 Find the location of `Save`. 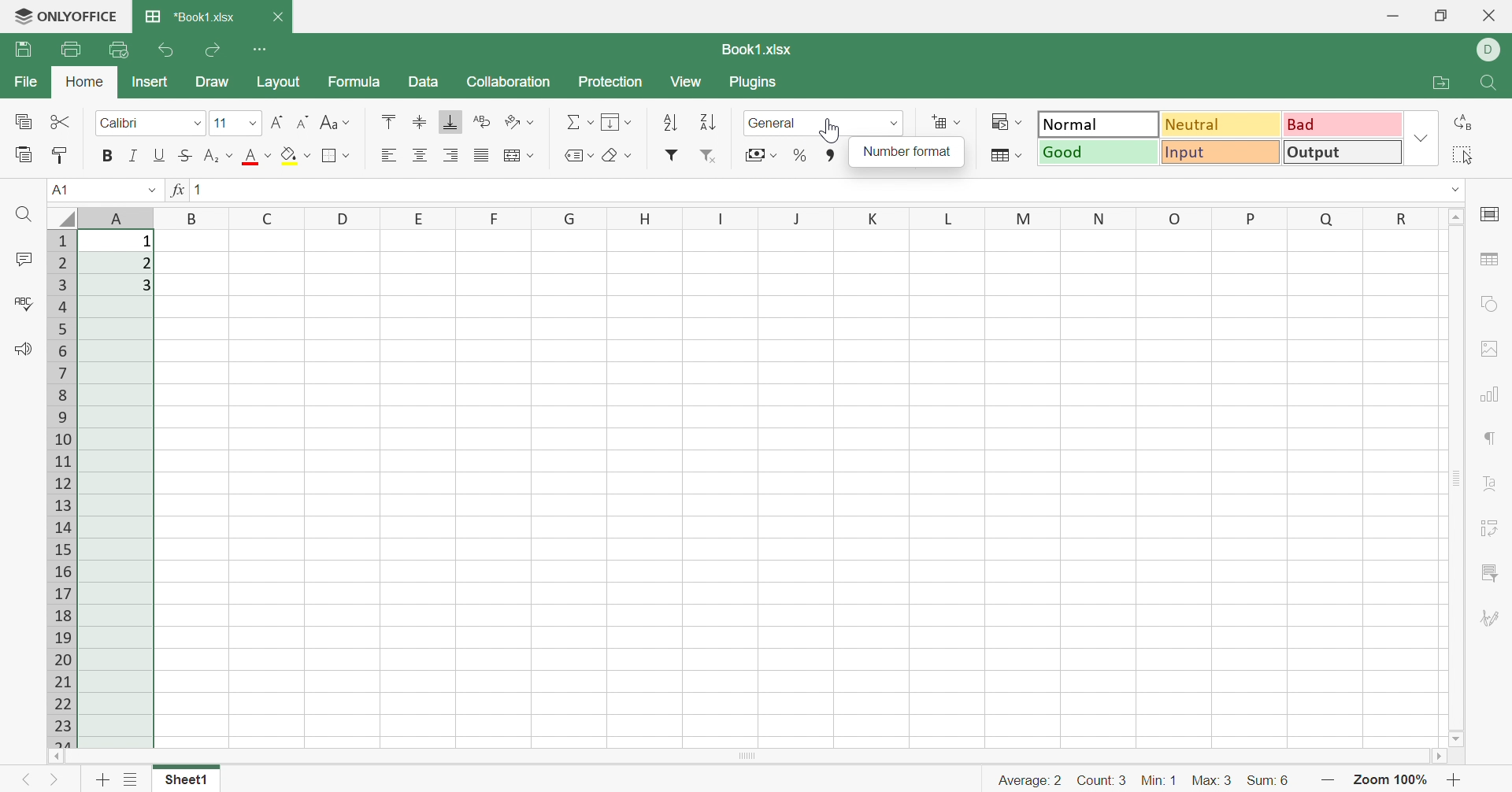

Save is located at coordinates (24, 49).